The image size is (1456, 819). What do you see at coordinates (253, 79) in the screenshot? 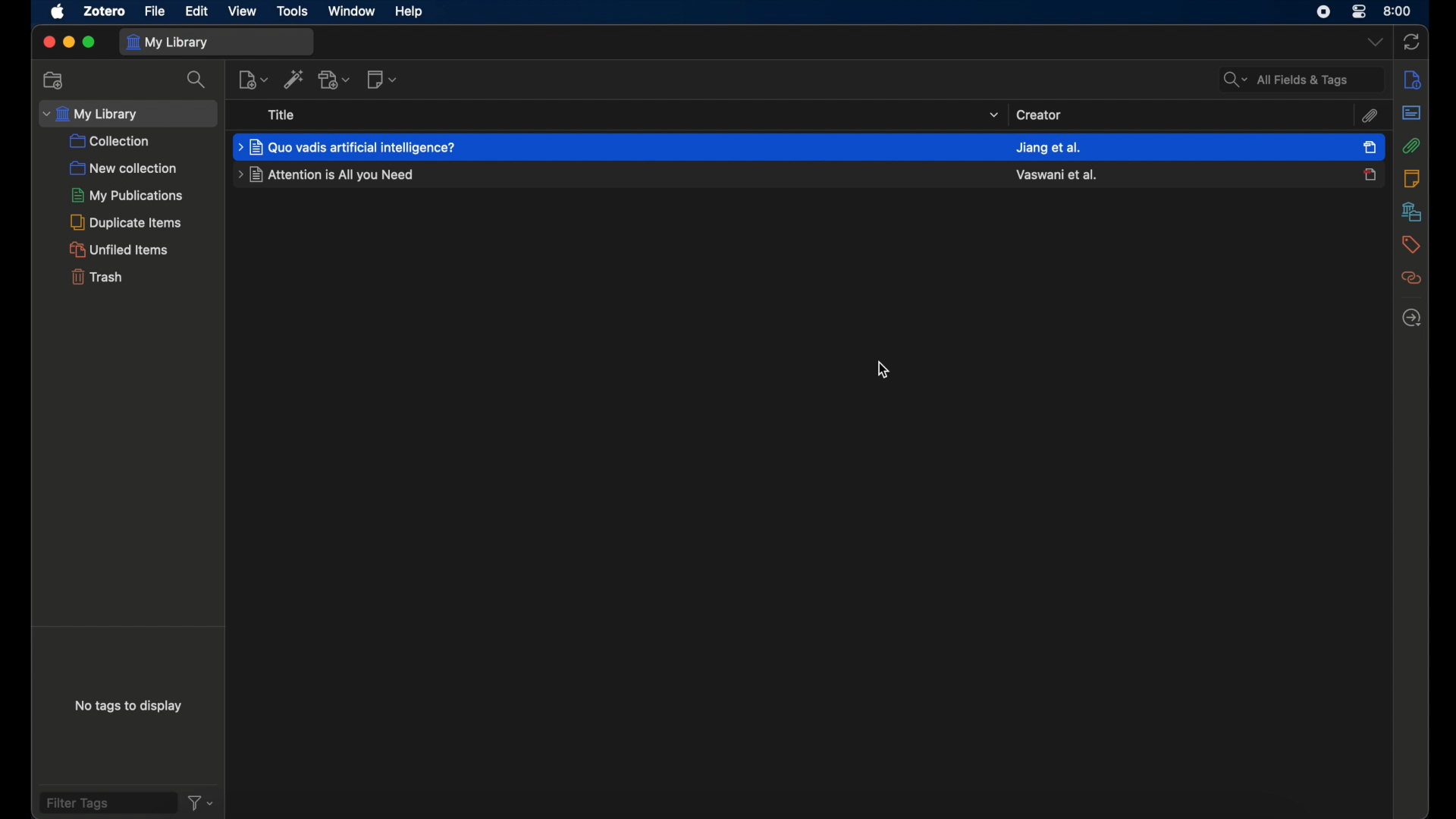
I see `new item` at bounding box center [253, 79].